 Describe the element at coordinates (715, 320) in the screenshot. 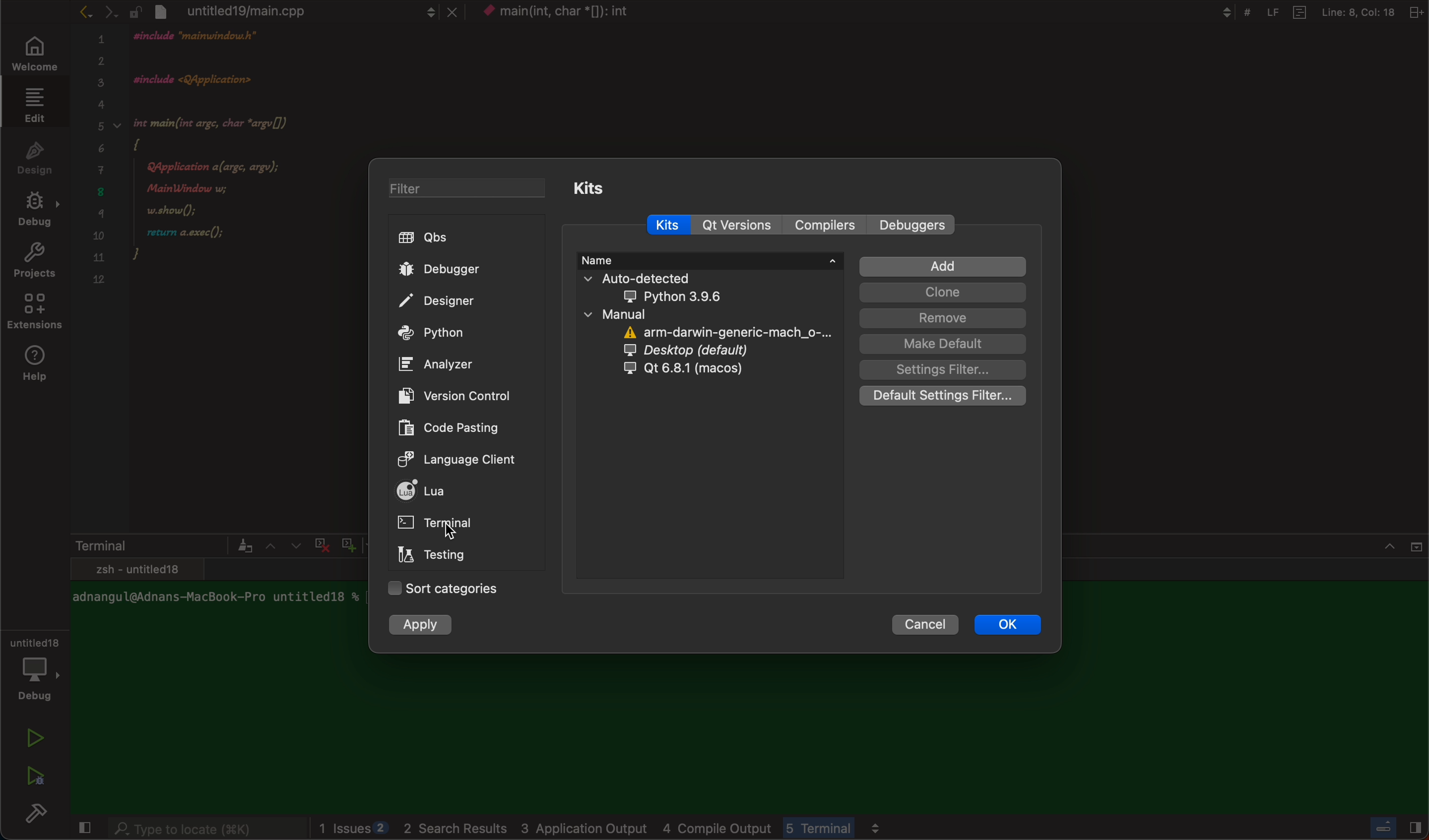

I see `kit information` at that location.